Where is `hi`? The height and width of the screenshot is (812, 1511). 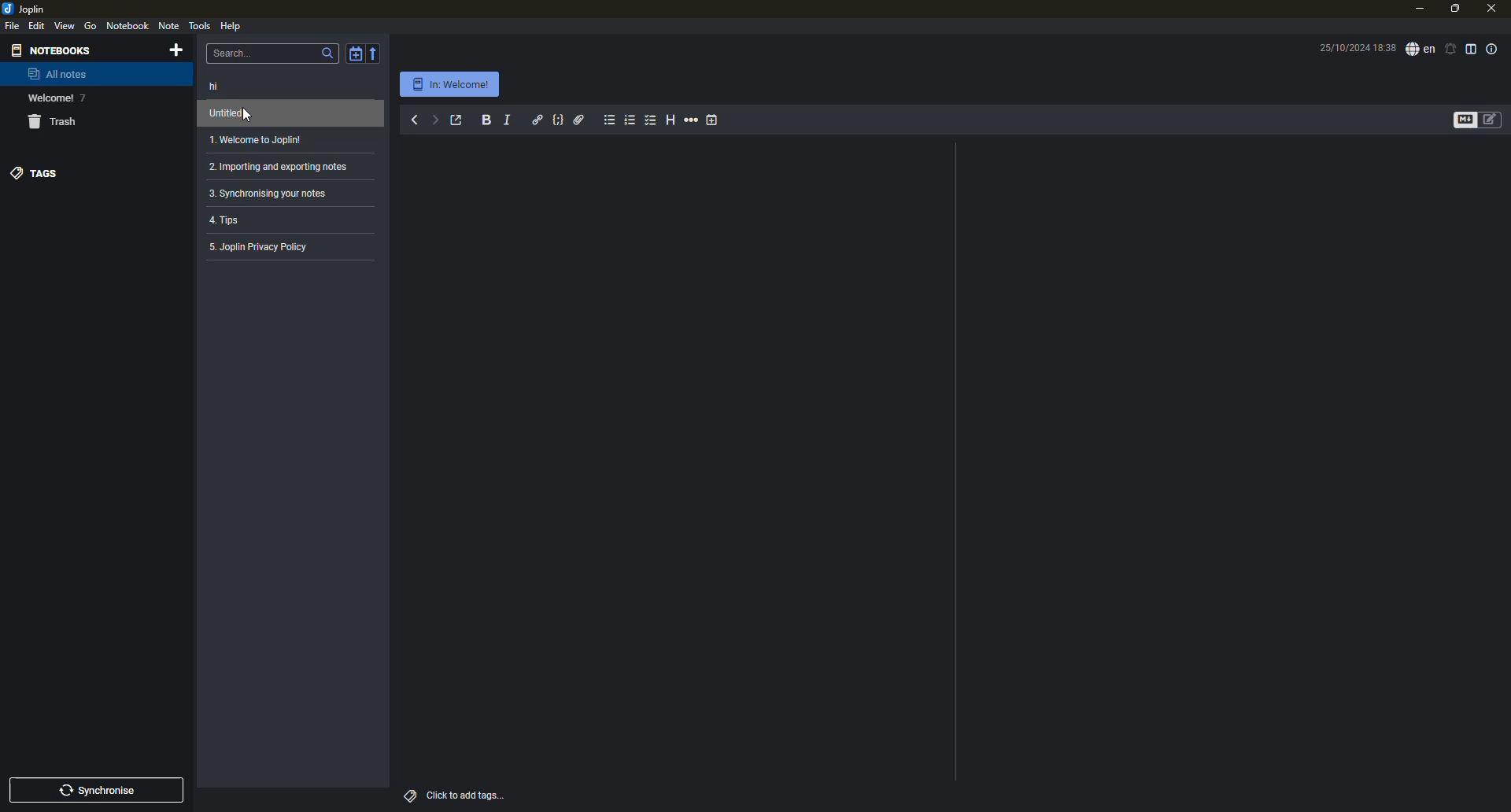
hi is located at coordinates (215, 87).